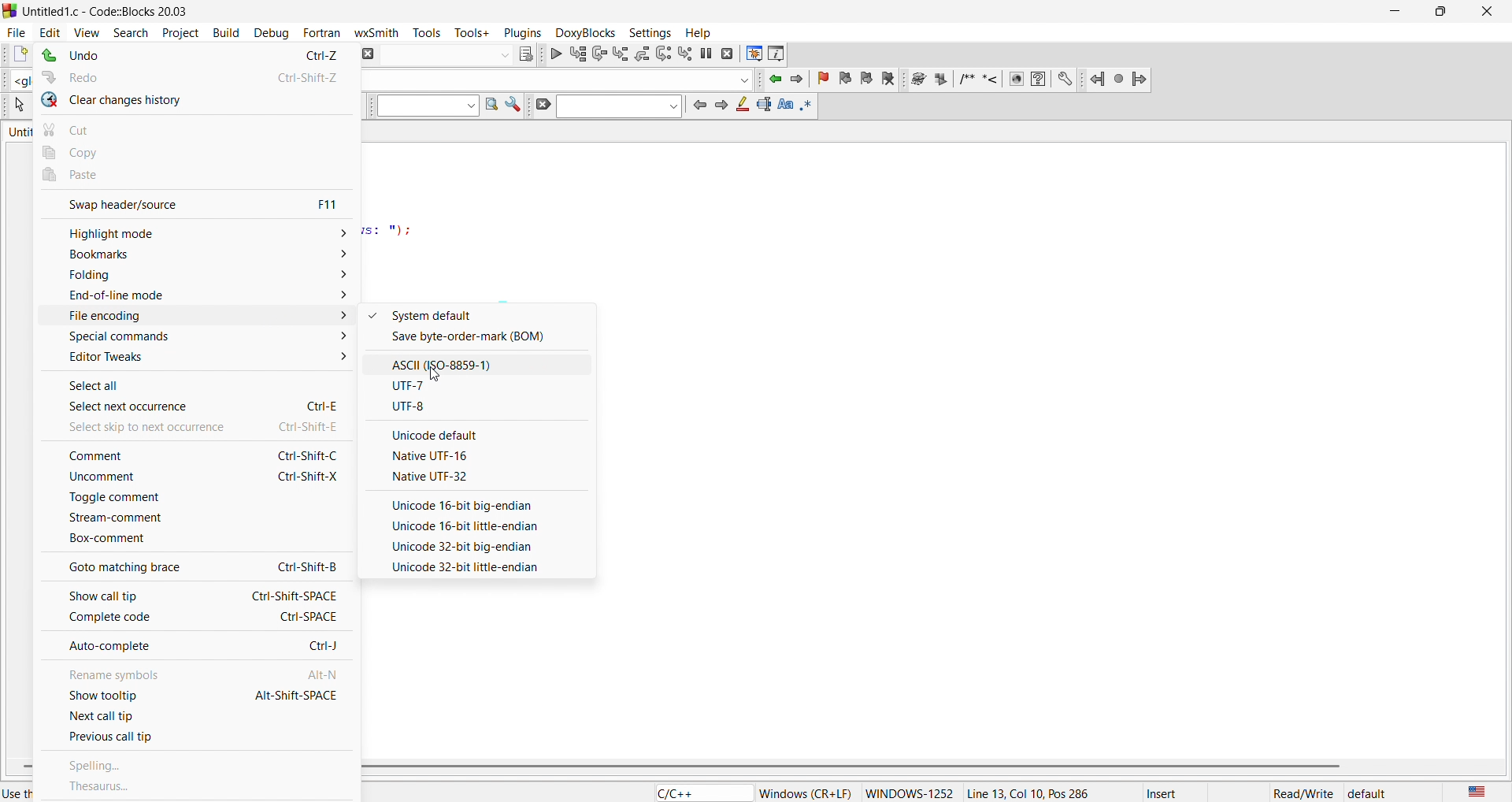 The image size is (1512, 802). Describe the element at coordinates (512, 104) in the screenshot. I see `settings` at that location.